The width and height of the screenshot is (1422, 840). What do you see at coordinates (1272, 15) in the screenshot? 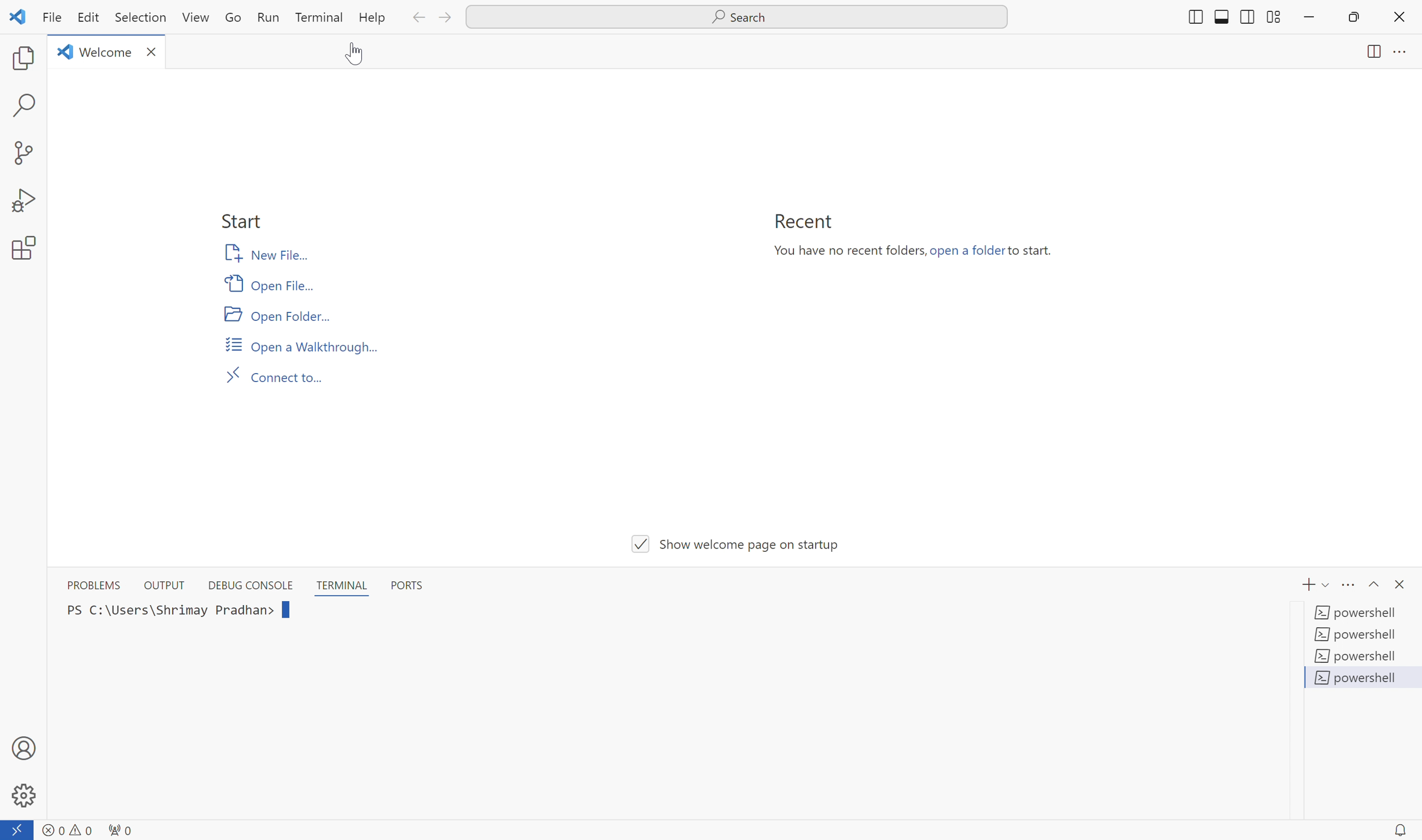
I see `split` at bounding box center [1272, 15].